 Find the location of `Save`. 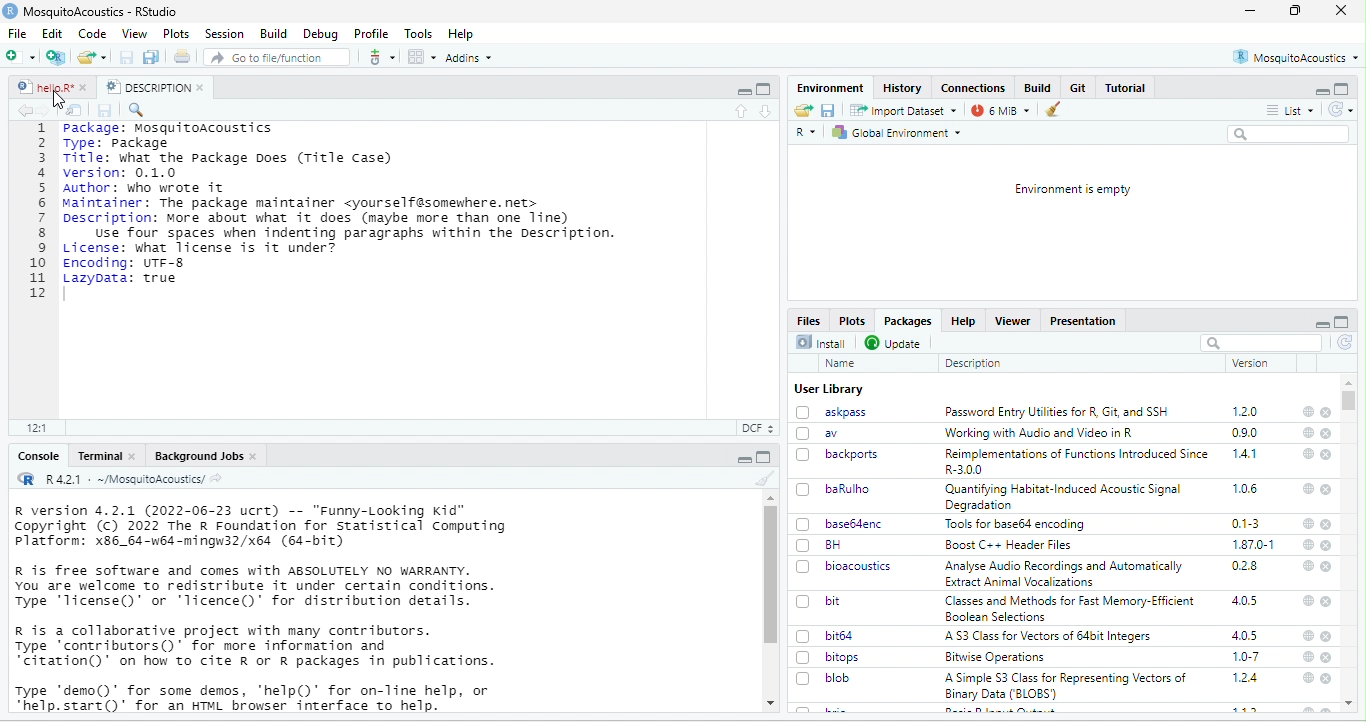

Save is located at coordinates (828, 110).